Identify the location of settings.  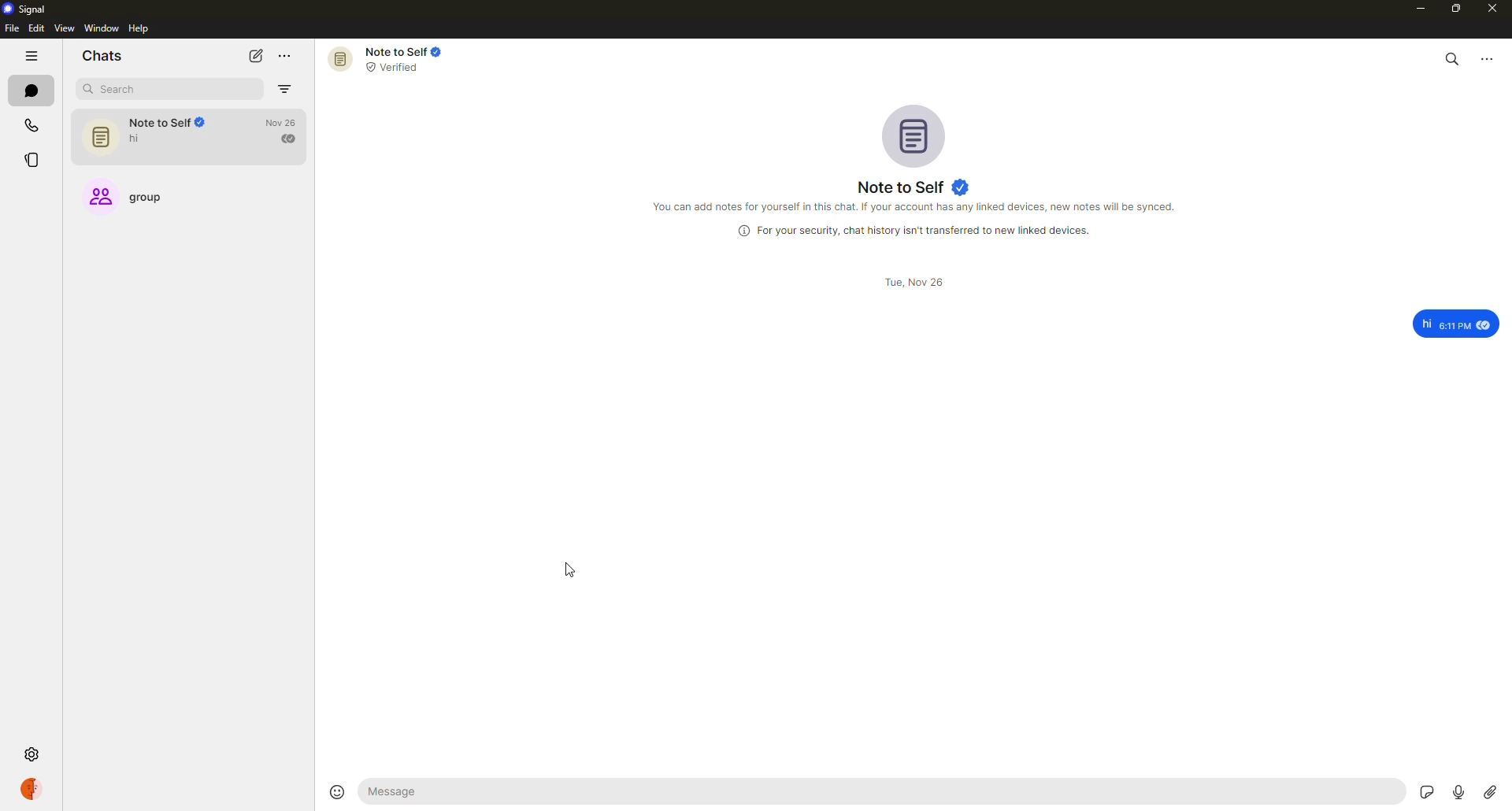
(31, 752).